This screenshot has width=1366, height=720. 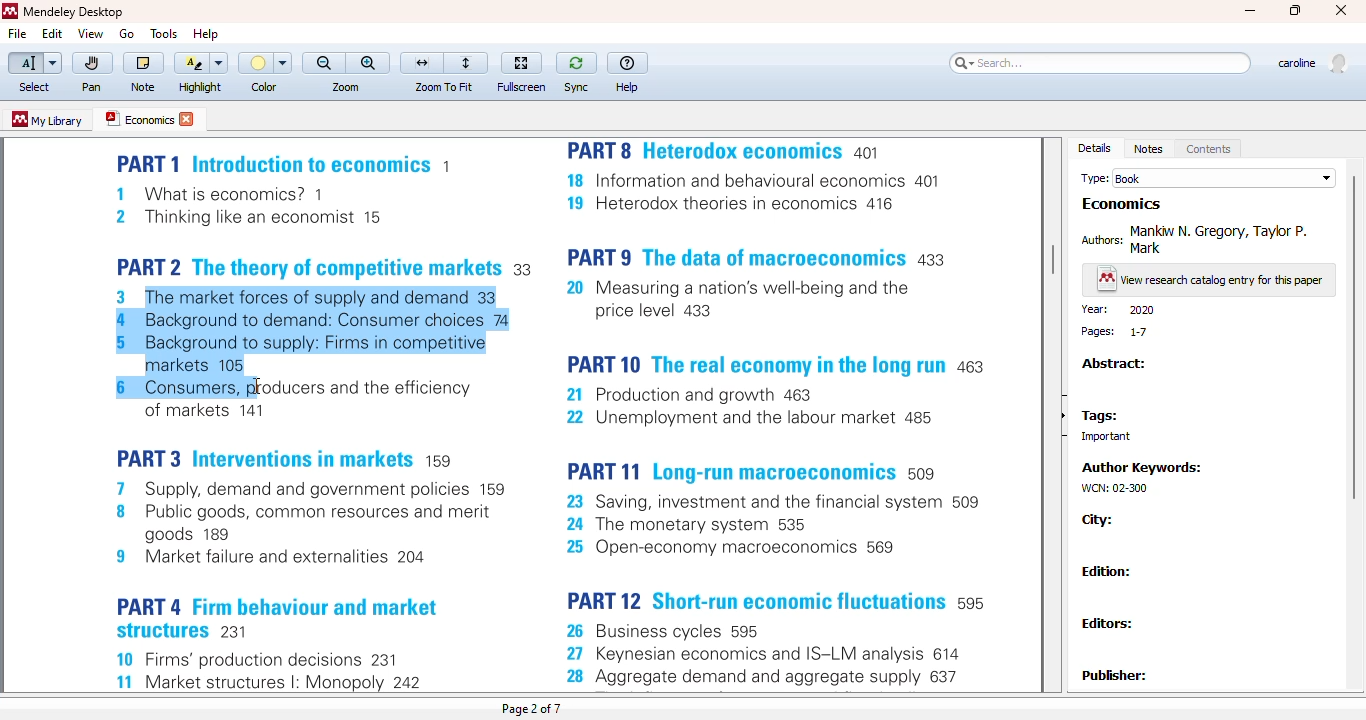 What do you see at coordinates (1297, 11) in the screenshot?
I see `maximize` at bounding box center [1297, 11].